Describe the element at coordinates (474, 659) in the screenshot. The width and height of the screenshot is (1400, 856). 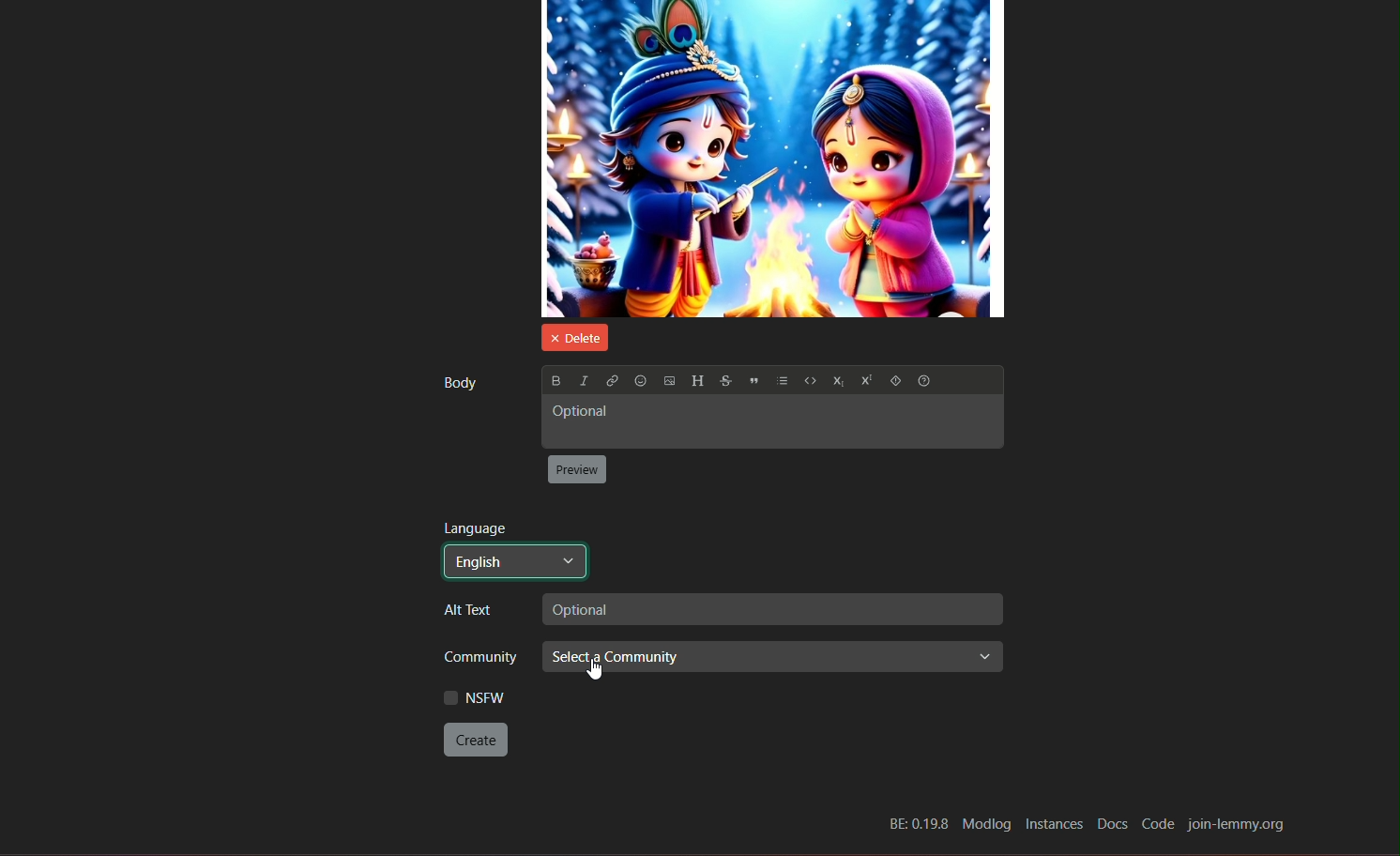
I see `Community` at that location.